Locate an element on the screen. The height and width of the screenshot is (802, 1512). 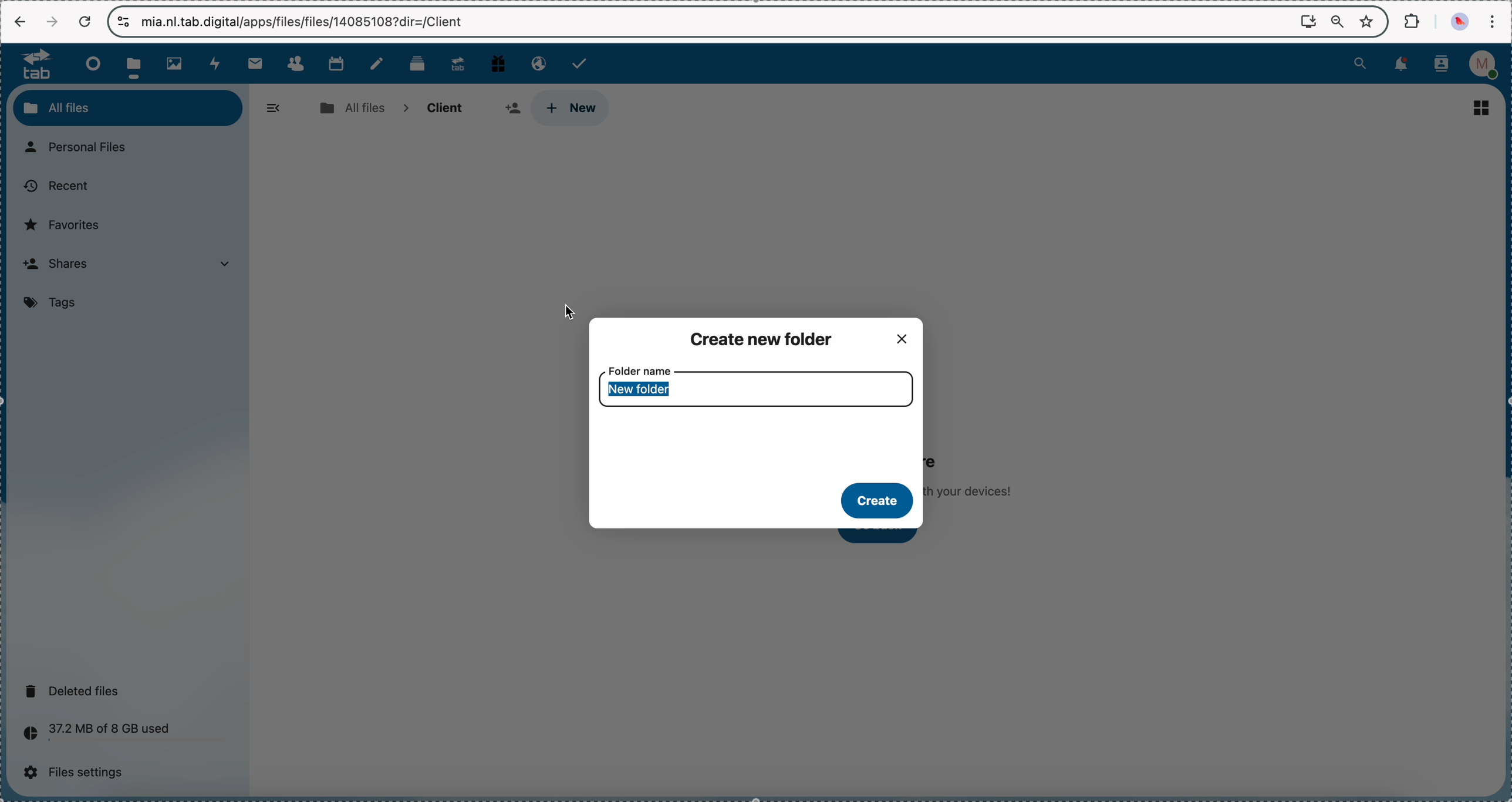
deck is located at coordinates (420, 62).